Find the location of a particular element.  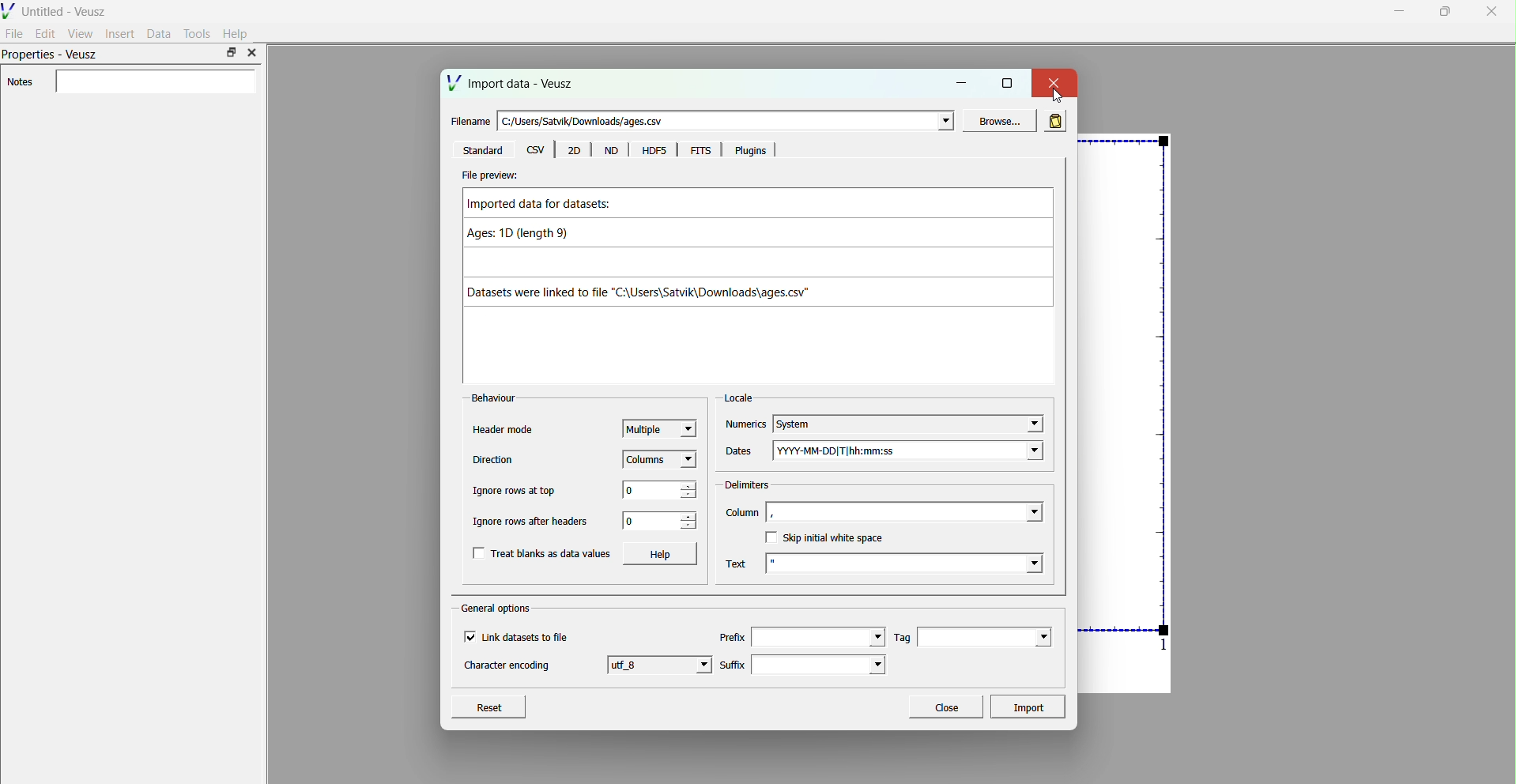

Data is located at coordinates (159, 33).